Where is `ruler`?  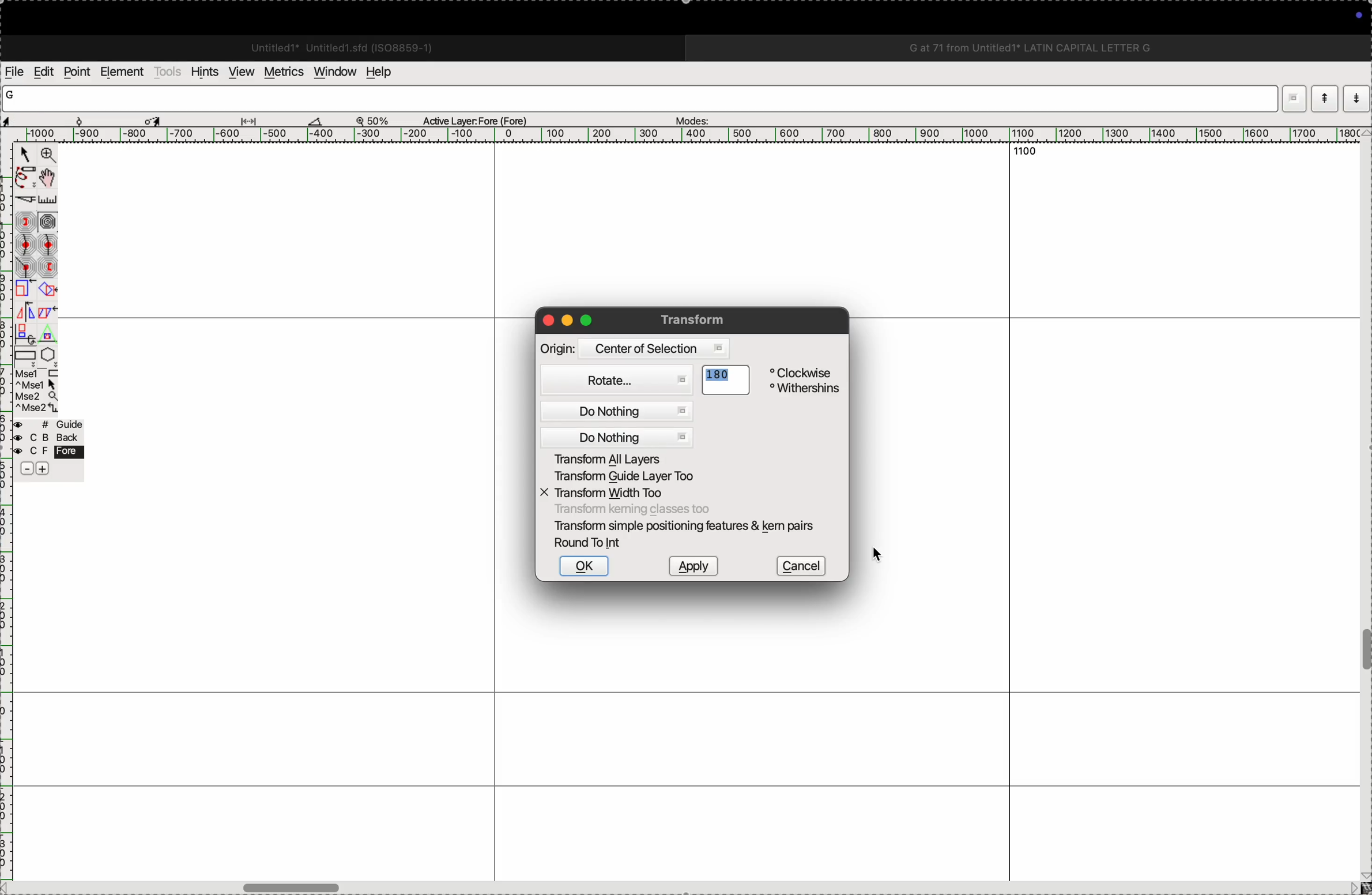
ruler is located at coordinates (47, 200).